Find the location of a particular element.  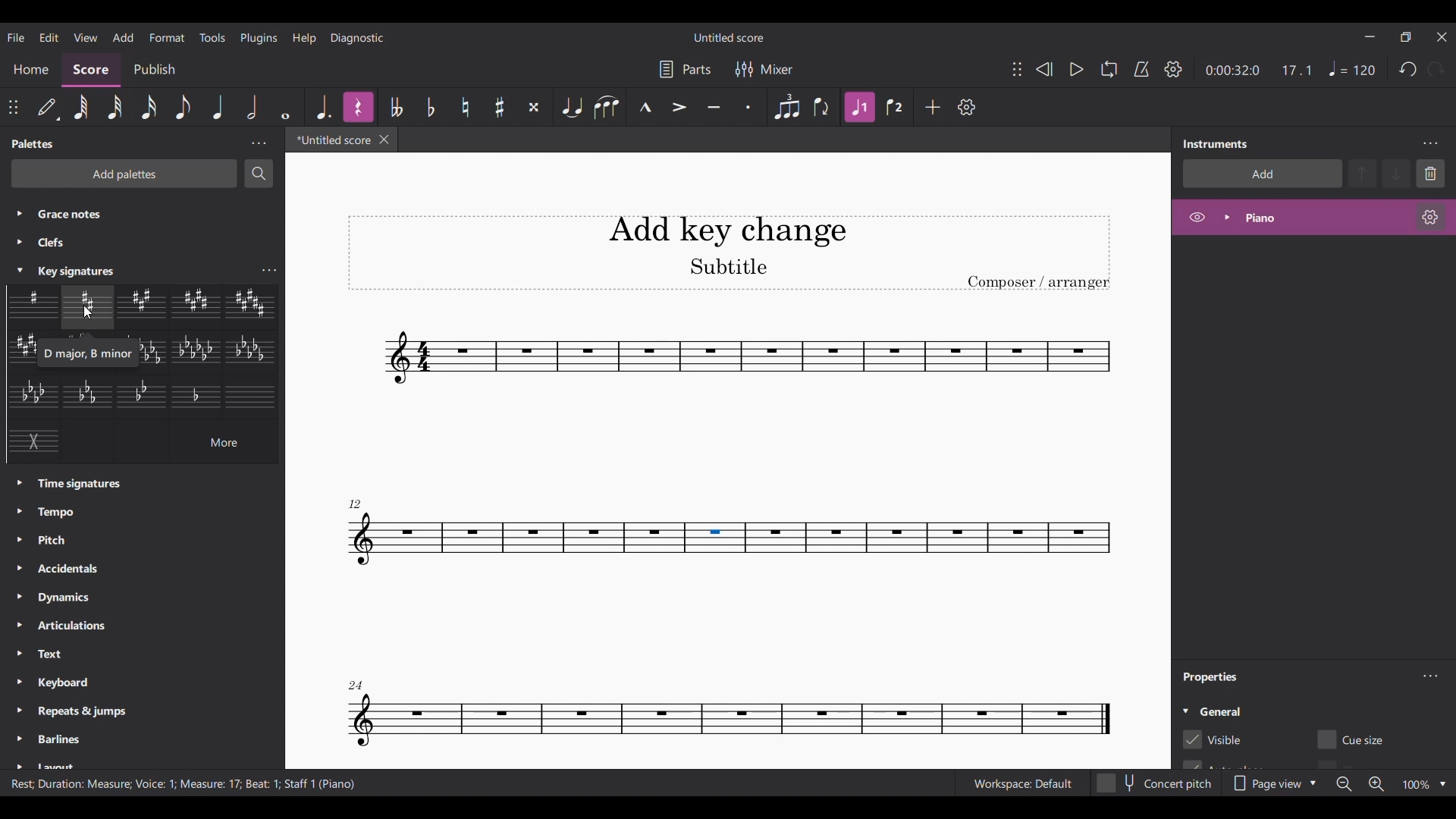

Default is located at coordinates (48, 105).